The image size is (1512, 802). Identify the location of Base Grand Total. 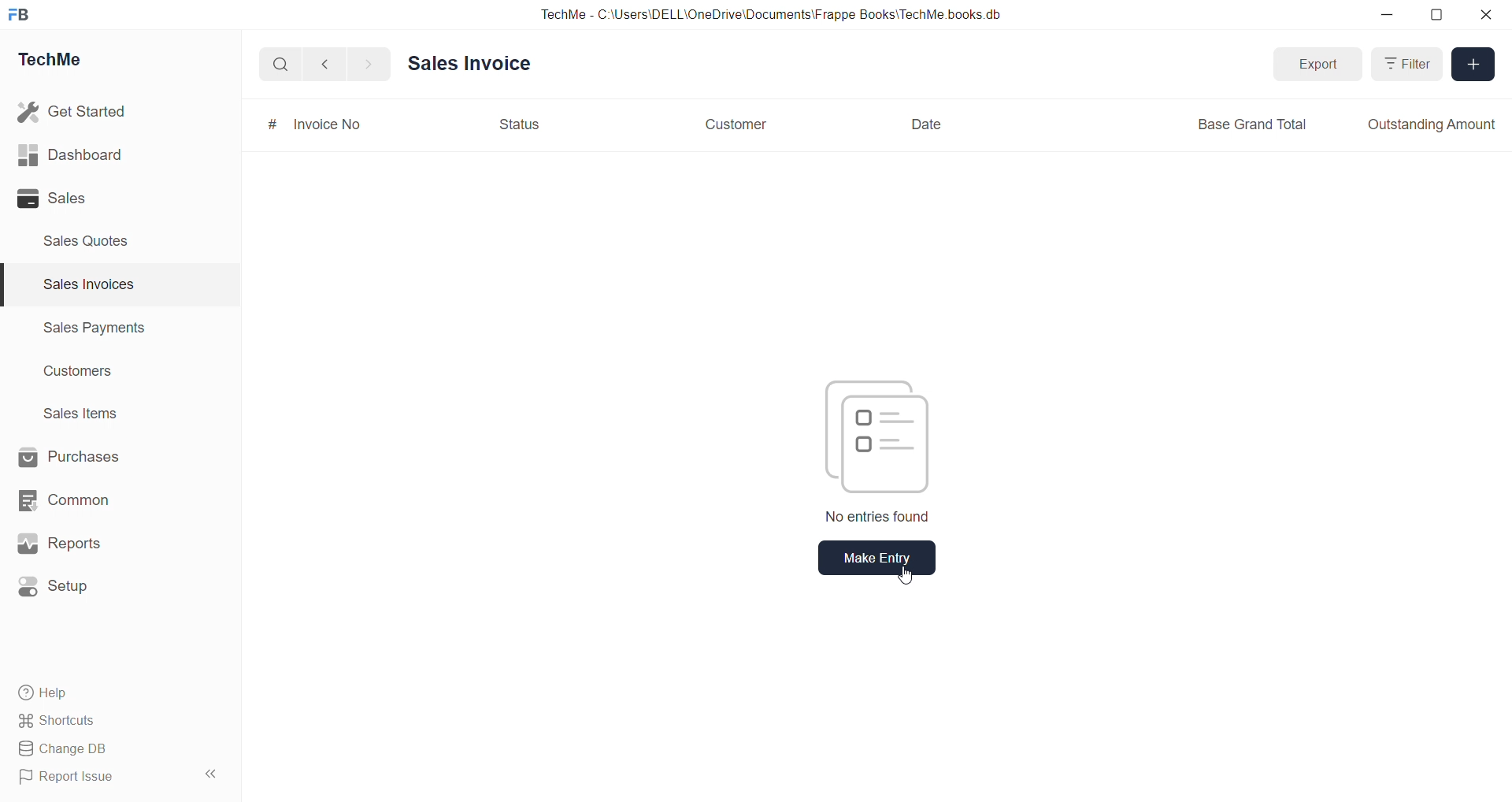
(1250, 123).